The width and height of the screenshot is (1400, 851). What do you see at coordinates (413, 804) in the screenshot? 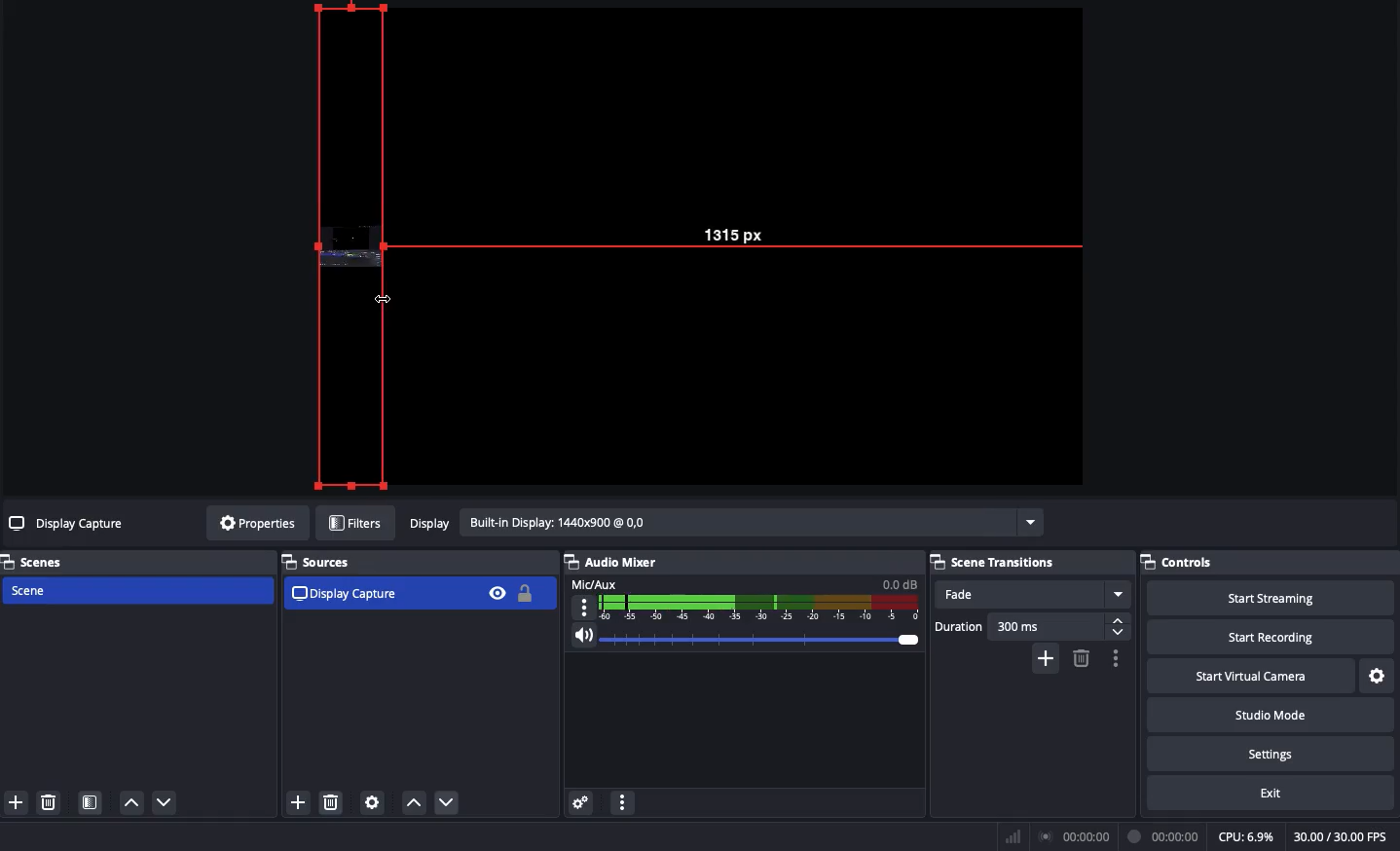
I see `Up` at bounding box center [413, 804].